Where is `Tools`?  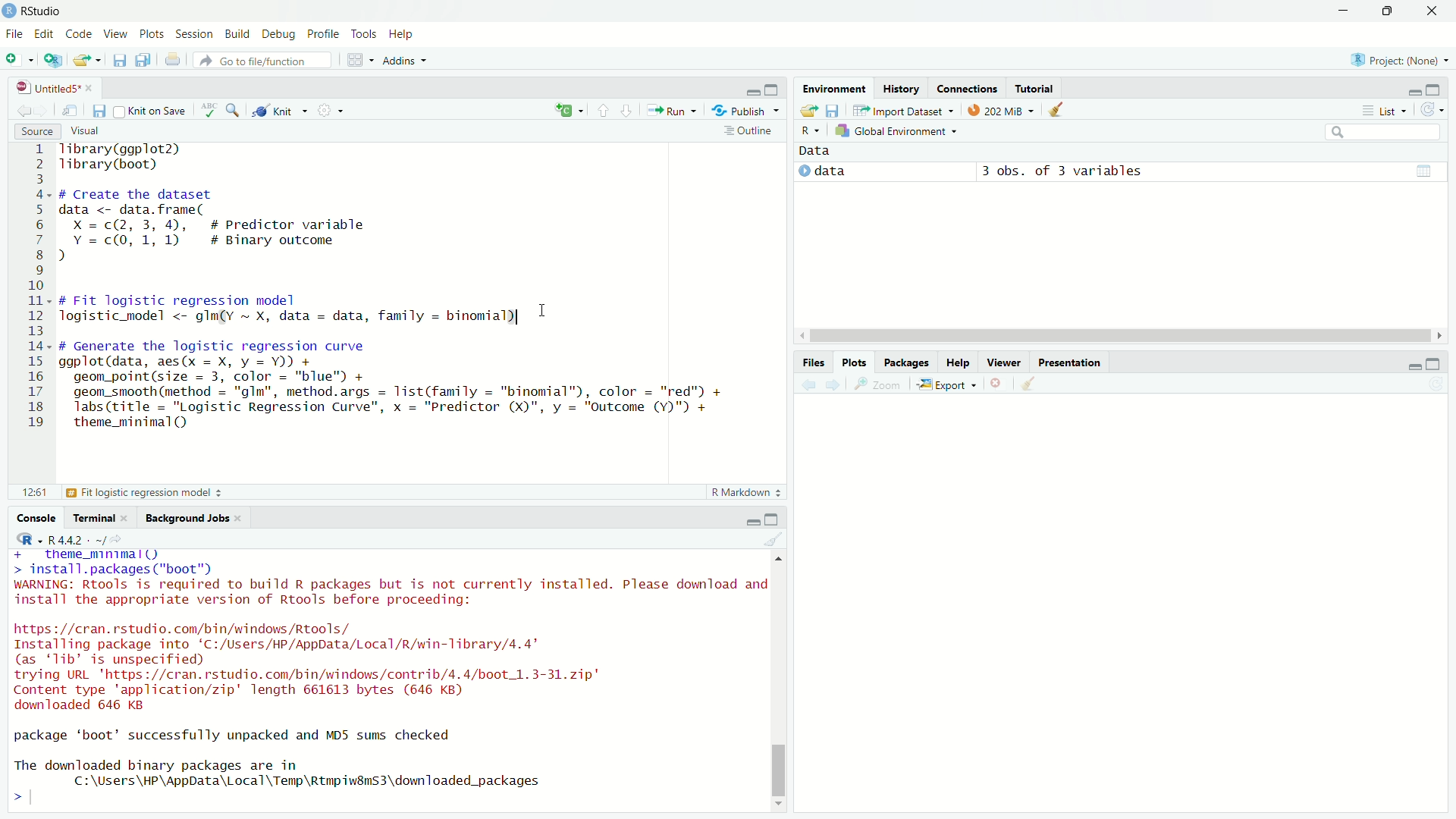
Tools is located at coordinates (362, 33).